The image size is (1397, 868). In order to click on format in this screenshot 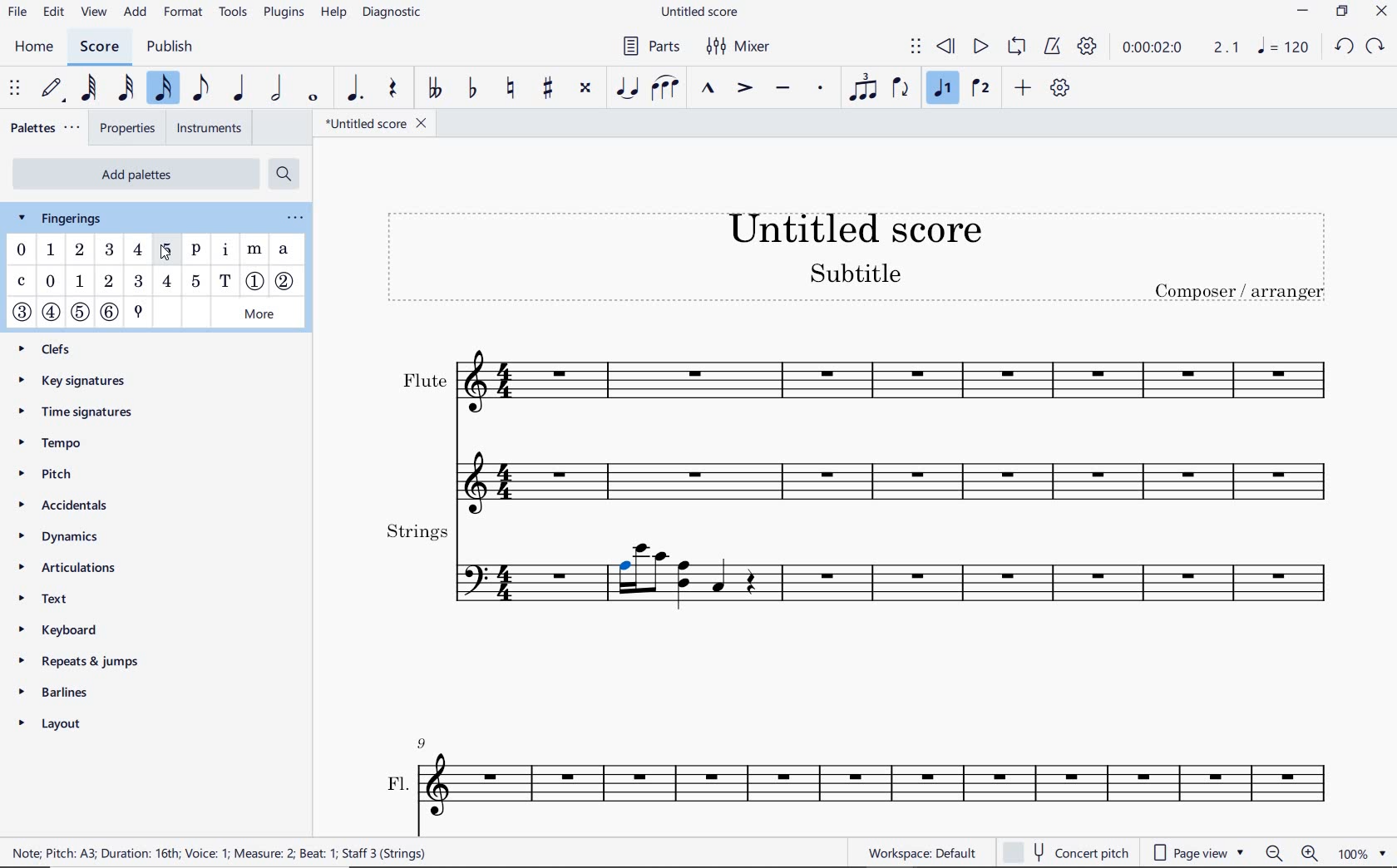, I will do `click(186, 13)`.